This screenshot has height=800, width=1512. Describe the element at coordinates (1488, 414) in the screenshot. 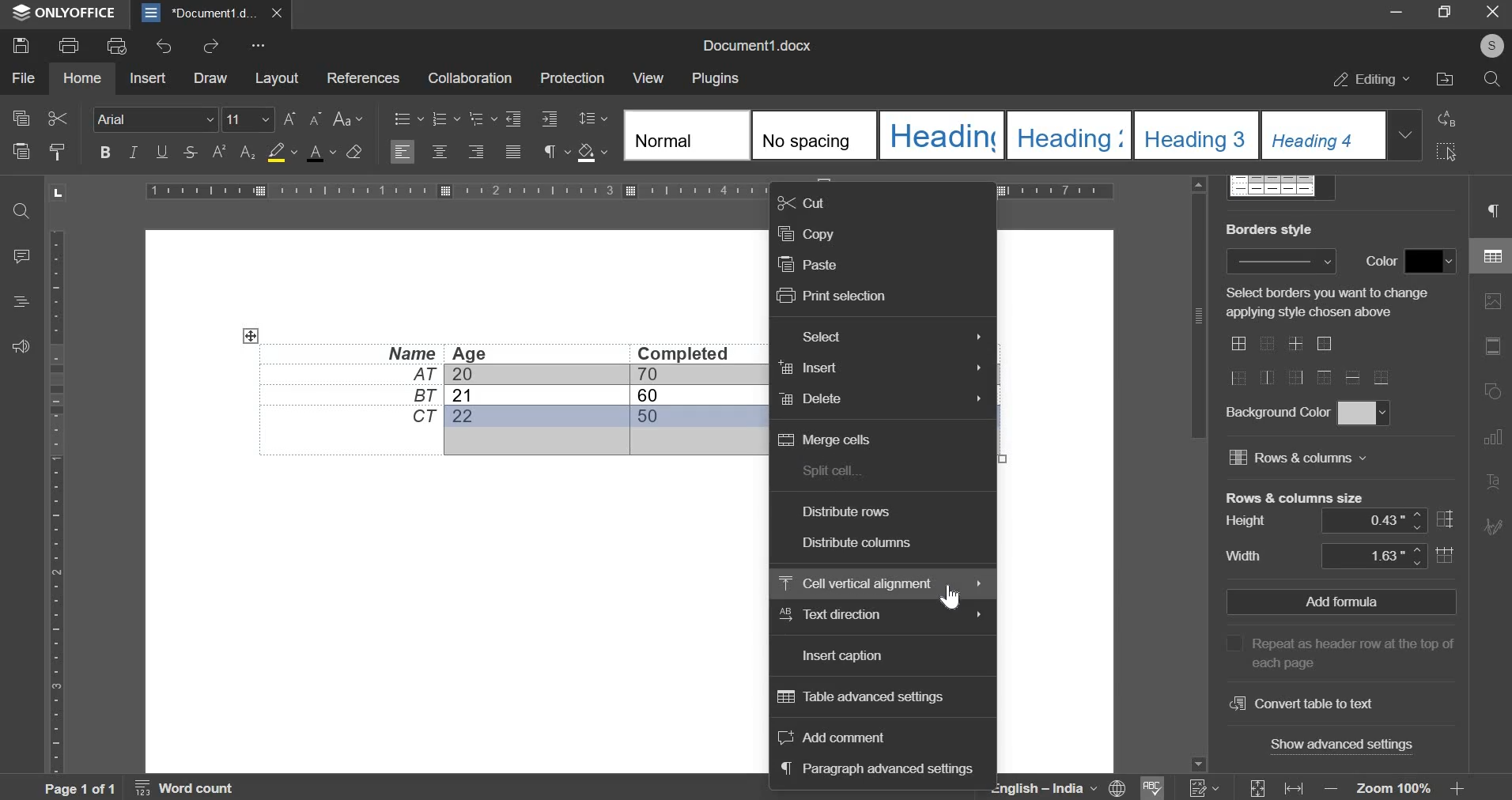

I see `right side bar` at that location.